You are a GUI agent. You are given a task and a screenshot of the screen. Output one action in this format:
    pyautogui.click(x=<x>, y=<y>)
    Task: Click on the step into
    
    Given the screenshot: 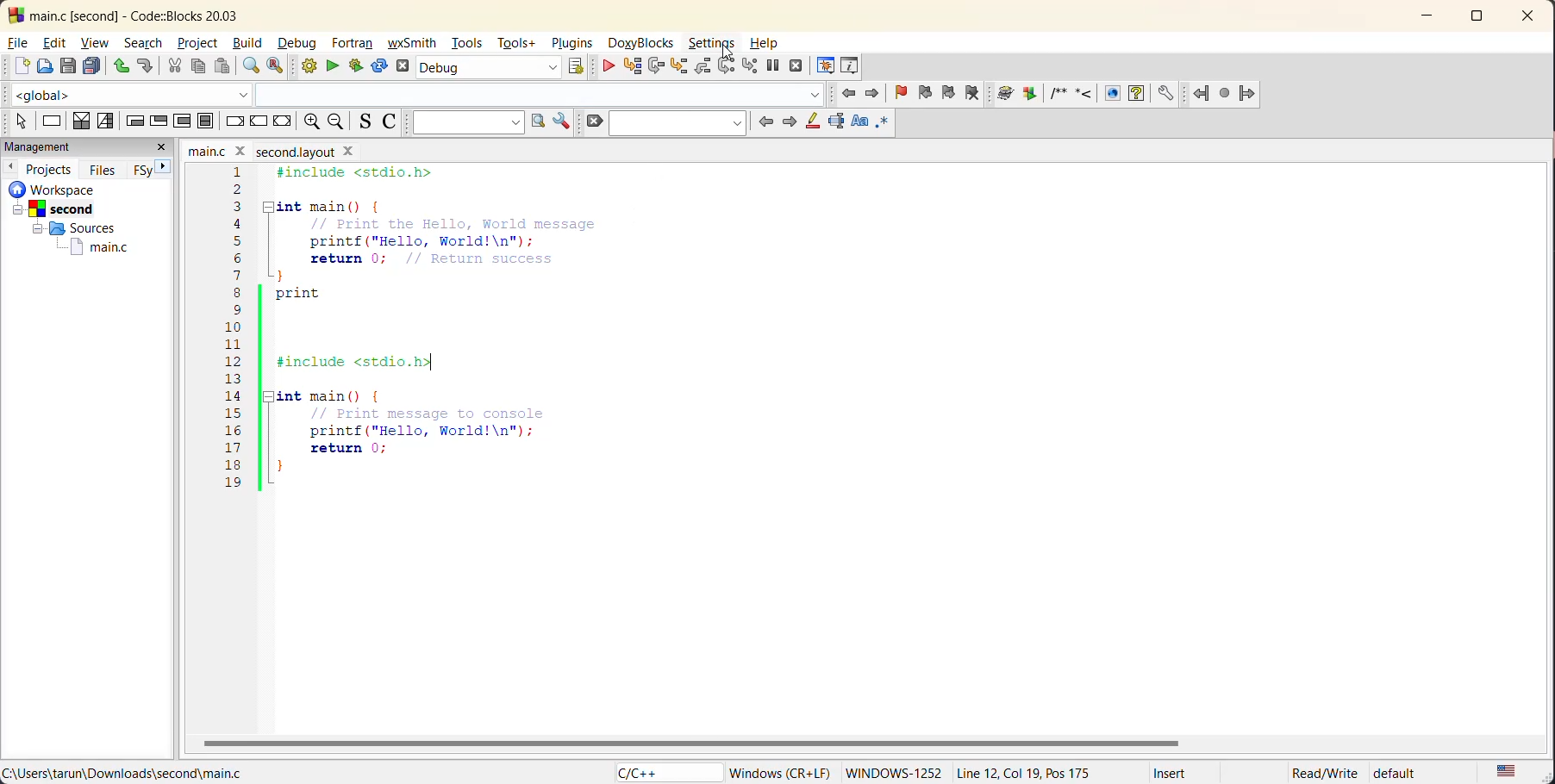 What is the action you would take?
    pyautogui.click(x=682, y=66)
    